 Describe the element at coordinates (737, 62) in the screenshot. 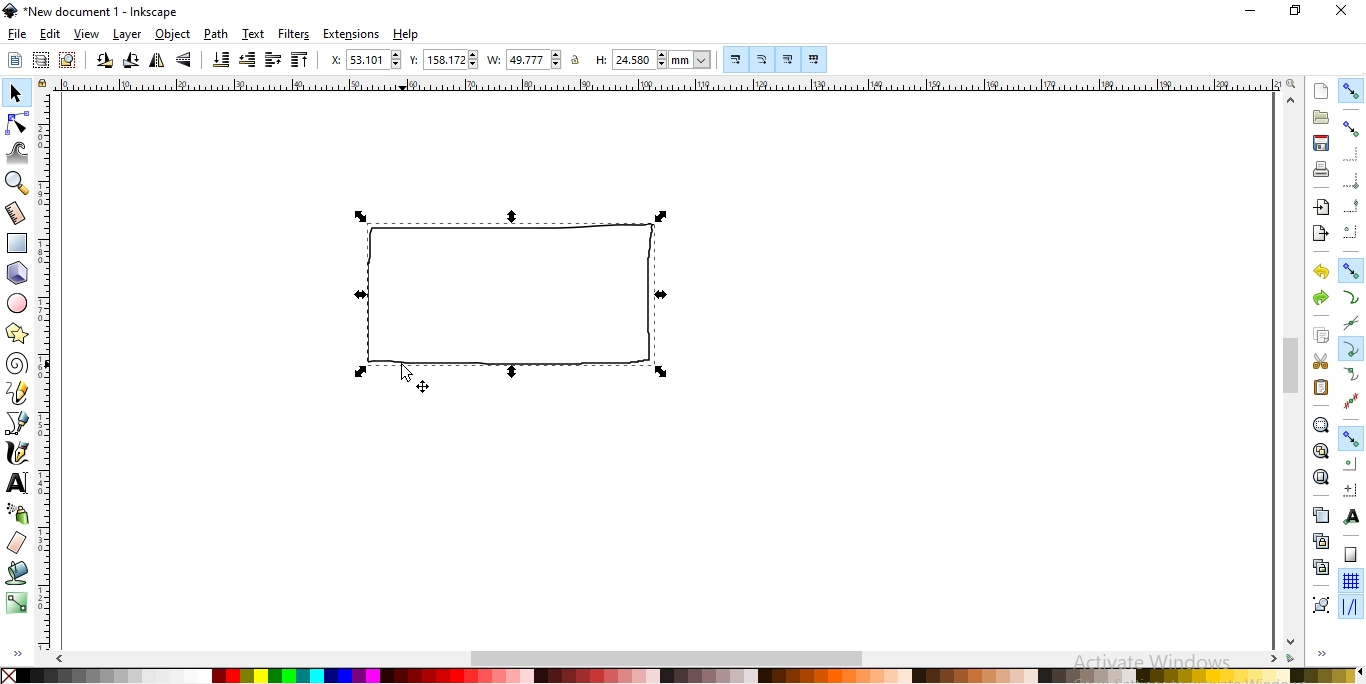

I see `` at that location.